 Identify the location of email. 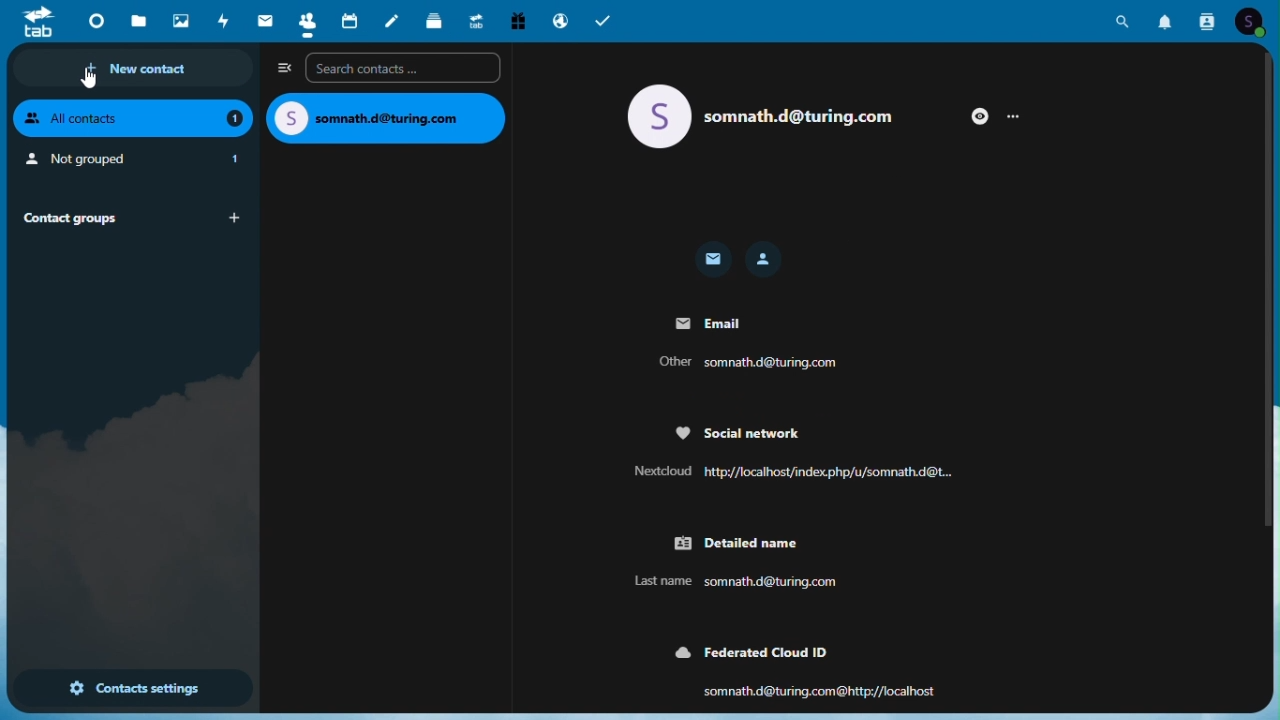
(764, 123).